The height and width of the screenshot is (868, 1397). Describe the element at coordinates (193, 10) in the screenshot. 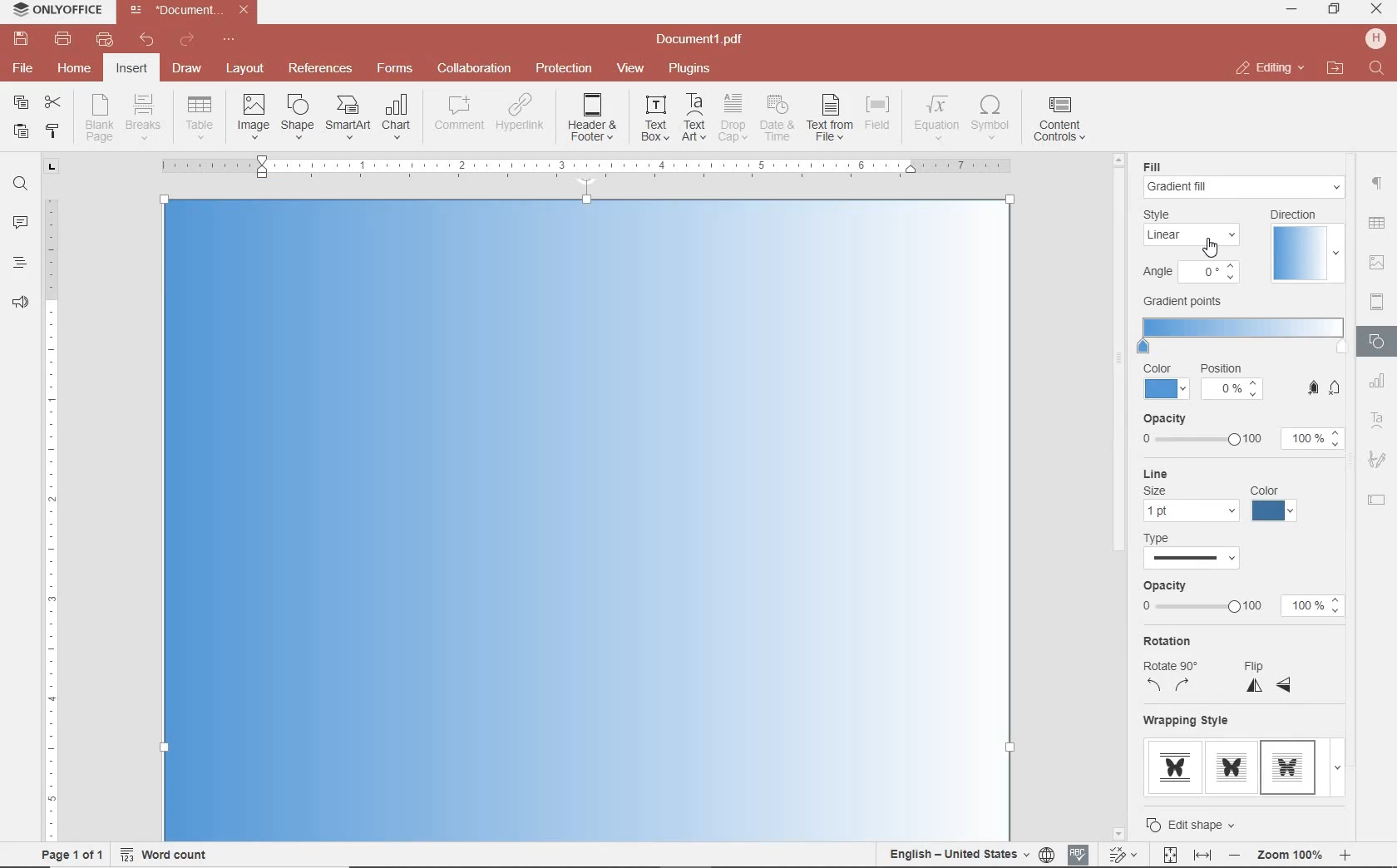

I see `file name` at that location.